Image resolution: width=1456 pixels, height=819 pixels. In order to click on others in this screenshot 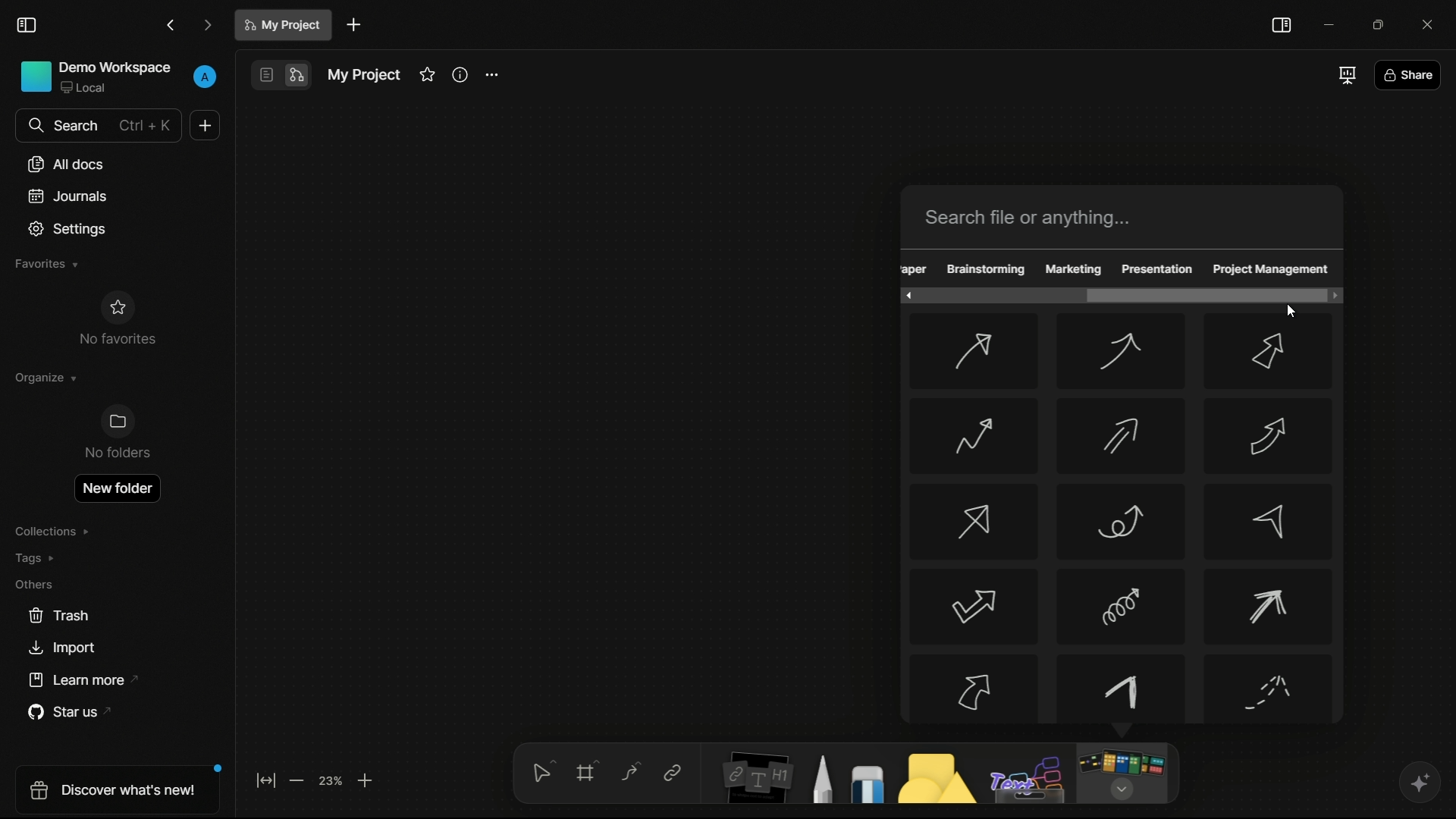, I will do `click(1029, 780)`.